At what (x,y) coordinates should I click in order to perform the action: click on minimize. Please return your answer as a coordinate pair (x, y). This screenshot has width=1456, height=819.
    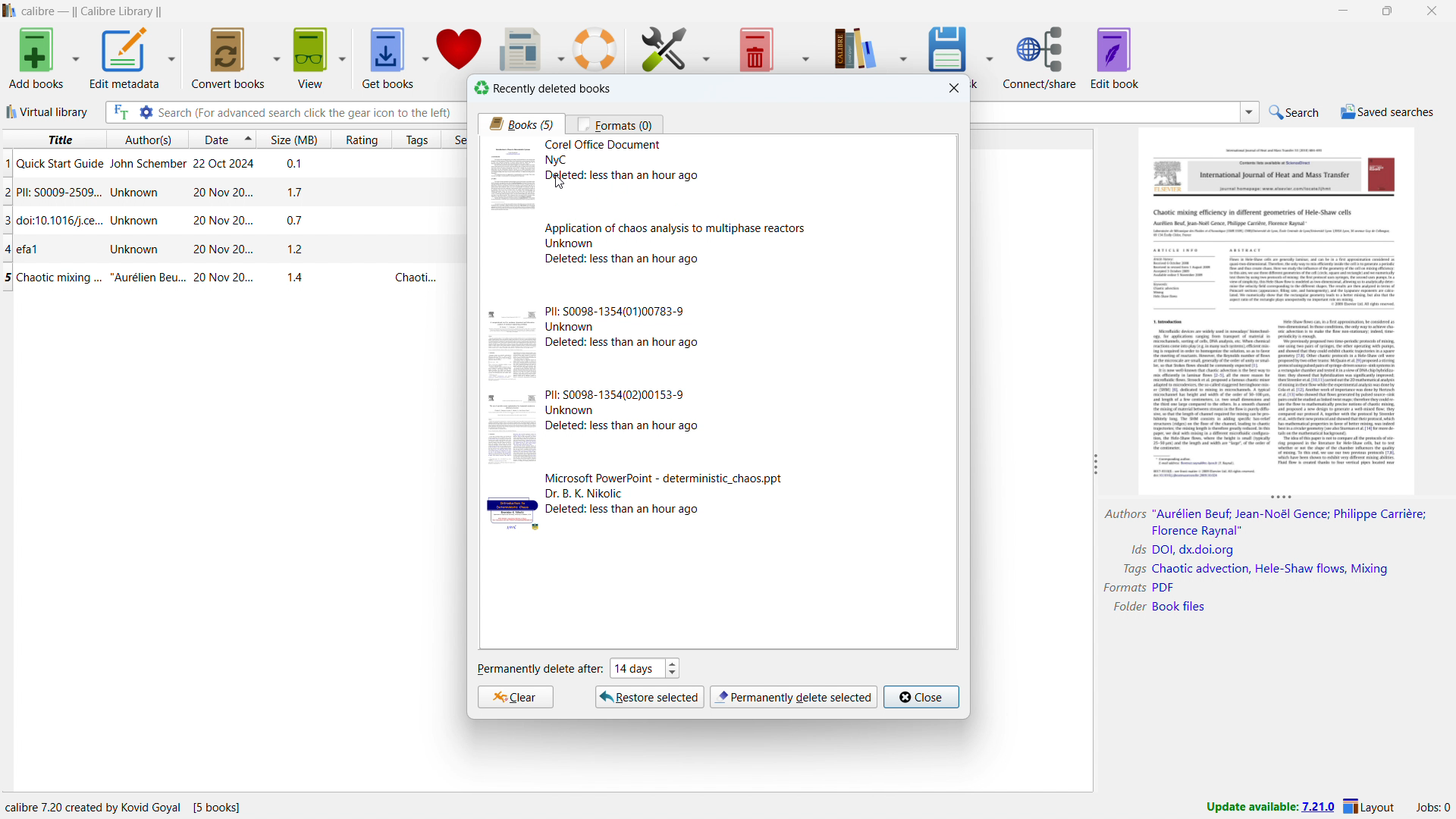
    Looking at the image, I should click on (1342, 11).